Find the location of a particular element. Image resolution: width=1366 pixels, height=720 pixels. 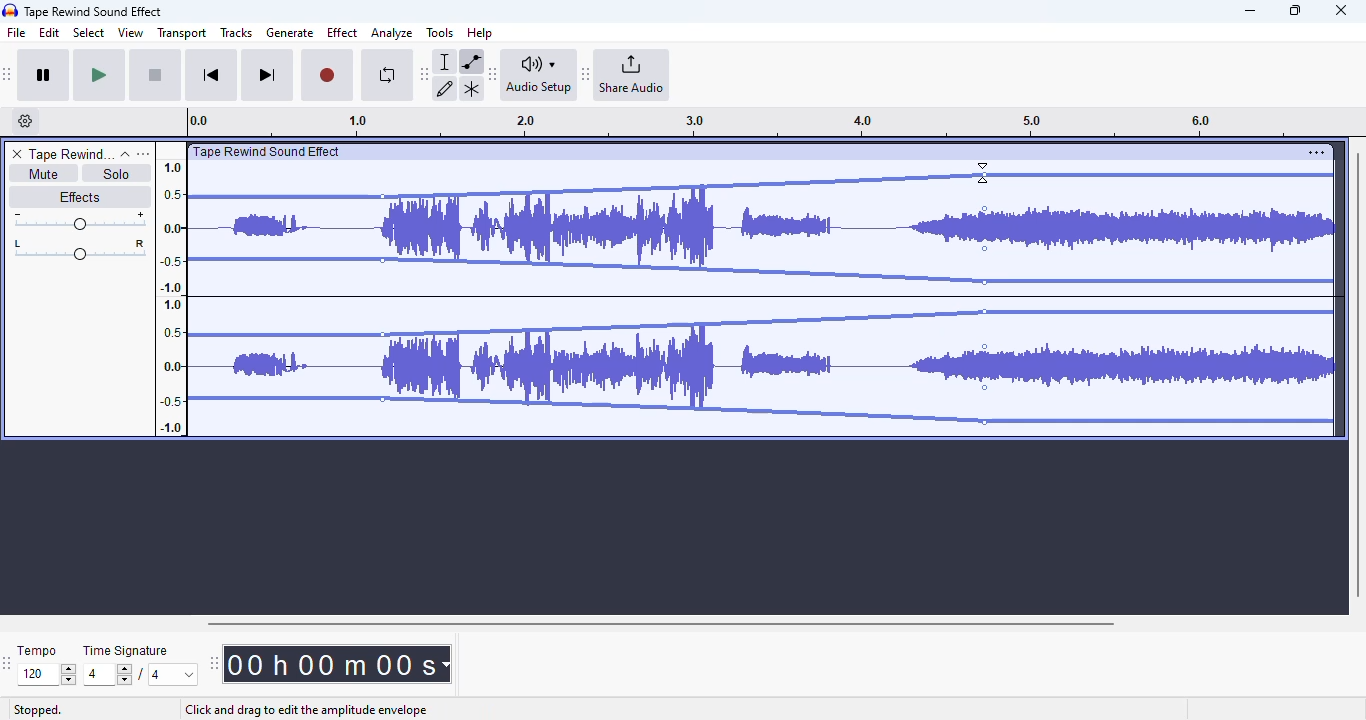

minimize is located at coordinates (1250, 11).